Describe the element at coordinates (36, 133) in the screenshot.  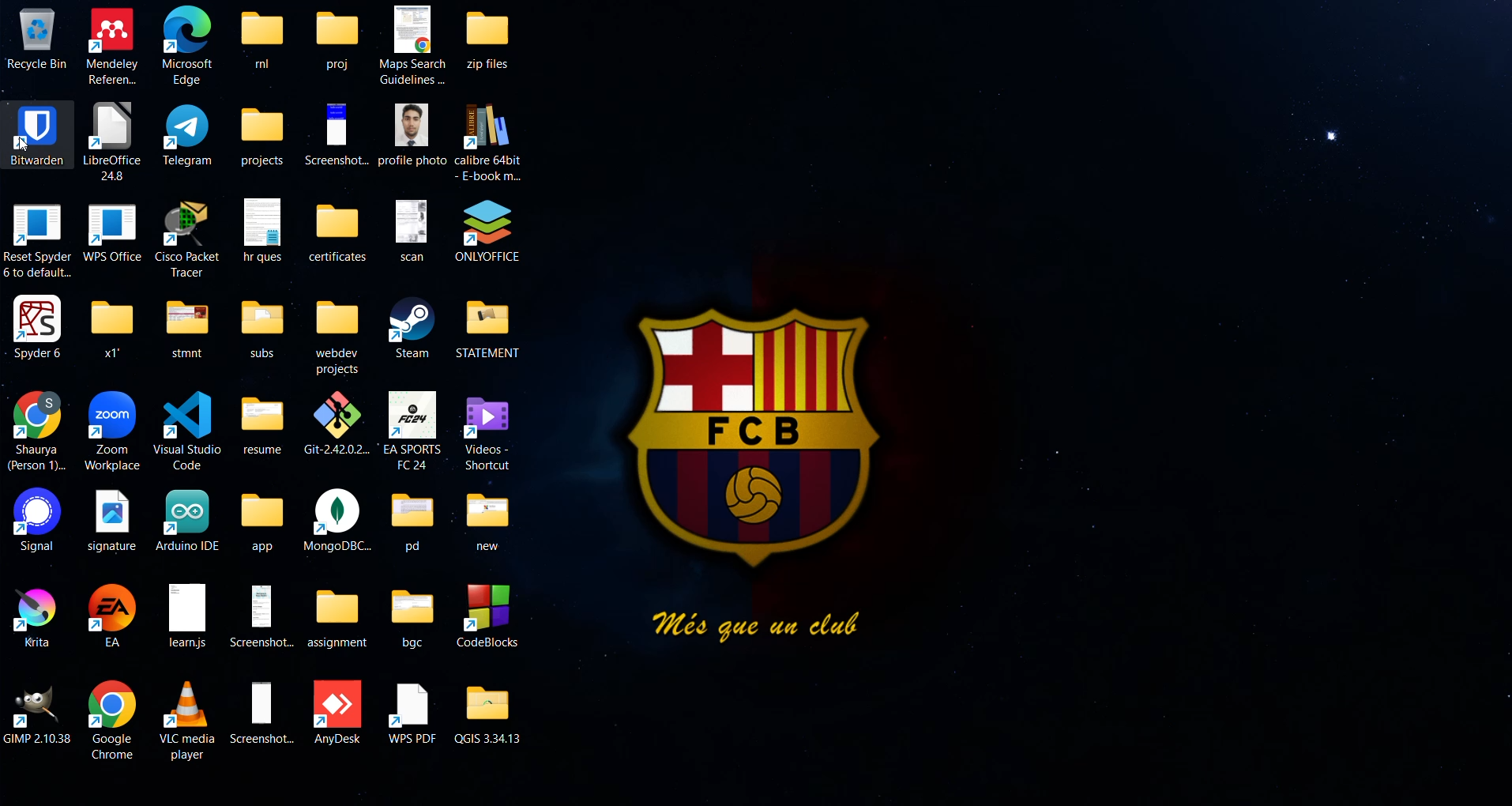
I see `BITWARDEN` at that location.